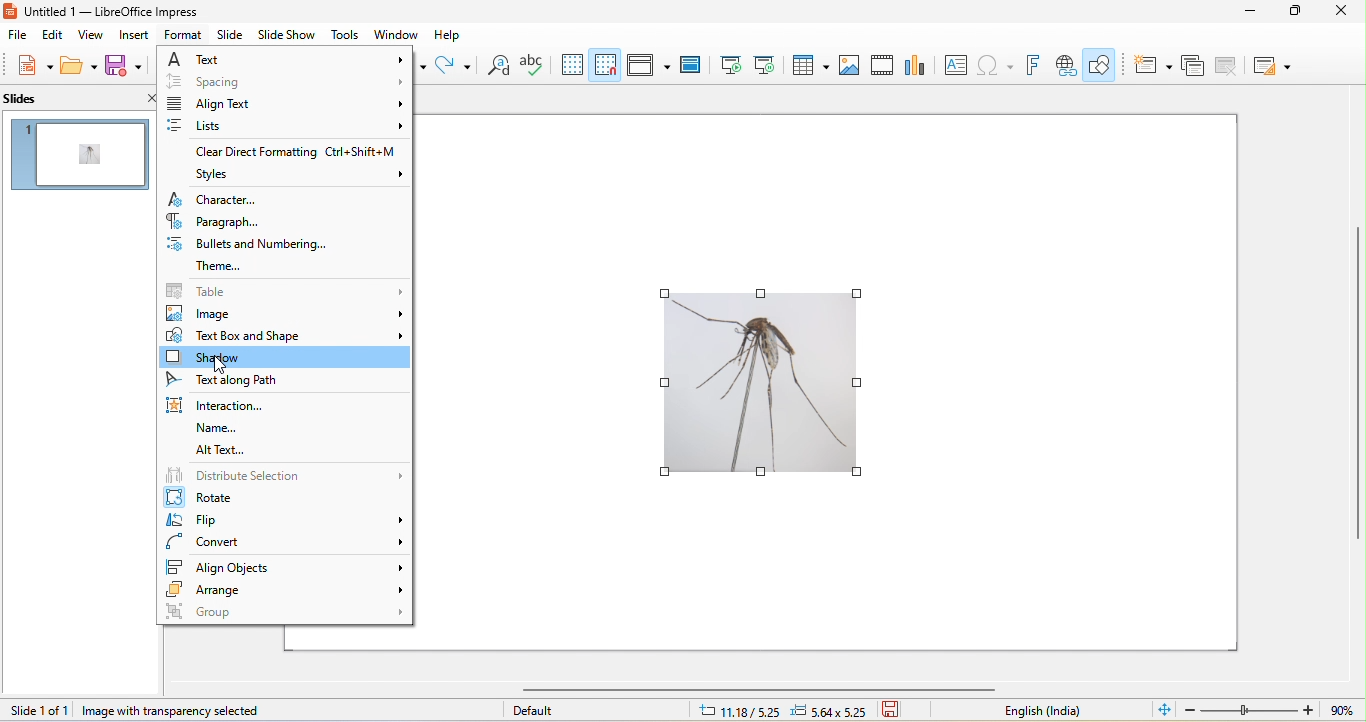  What do you see at coordinates (219, 268) in the screenshot?
I see `theme` at bounding box center [219, 268].